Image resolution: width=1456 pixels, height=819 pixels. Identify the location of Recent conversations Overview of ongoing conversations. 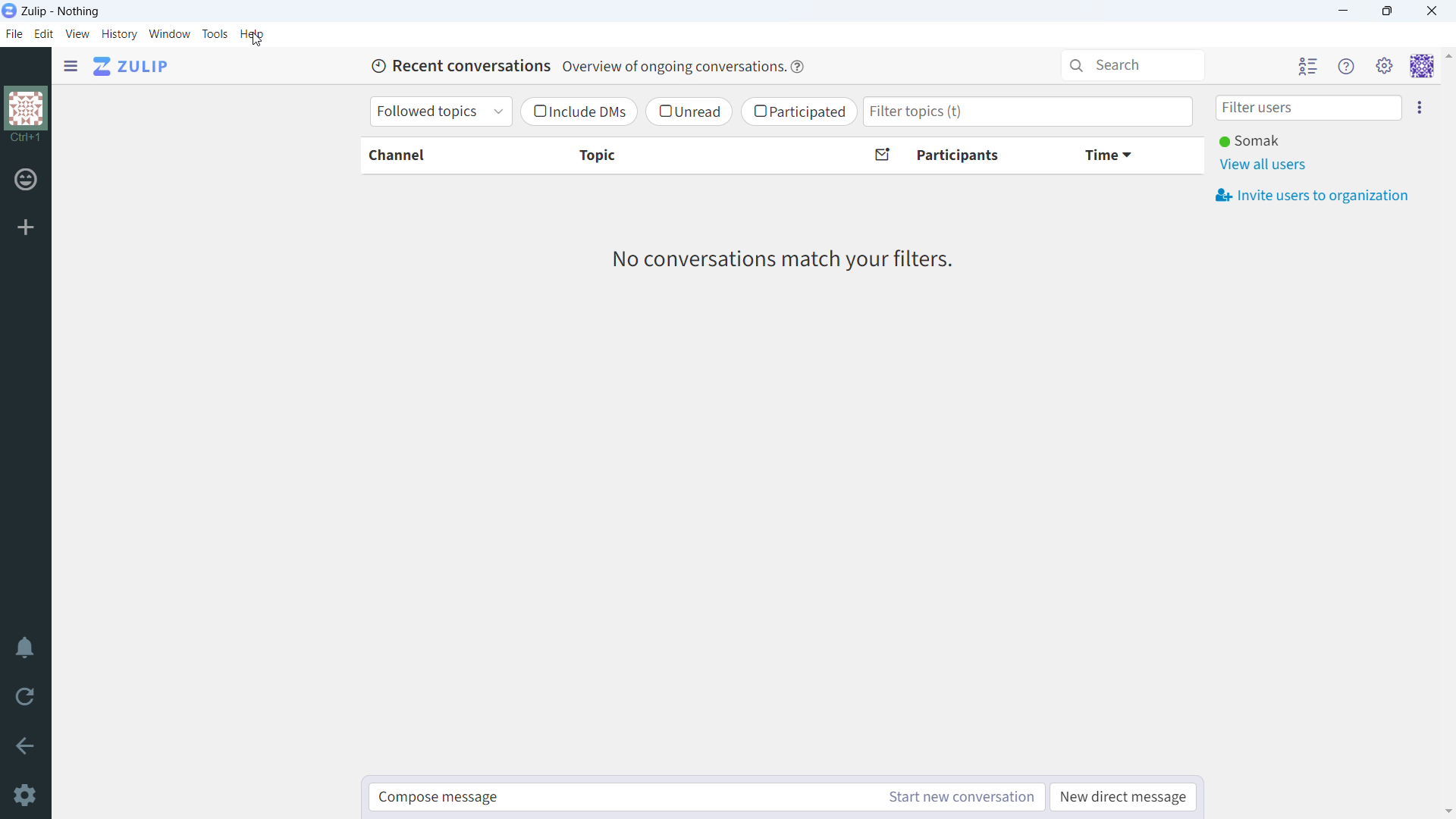
(572, 65).